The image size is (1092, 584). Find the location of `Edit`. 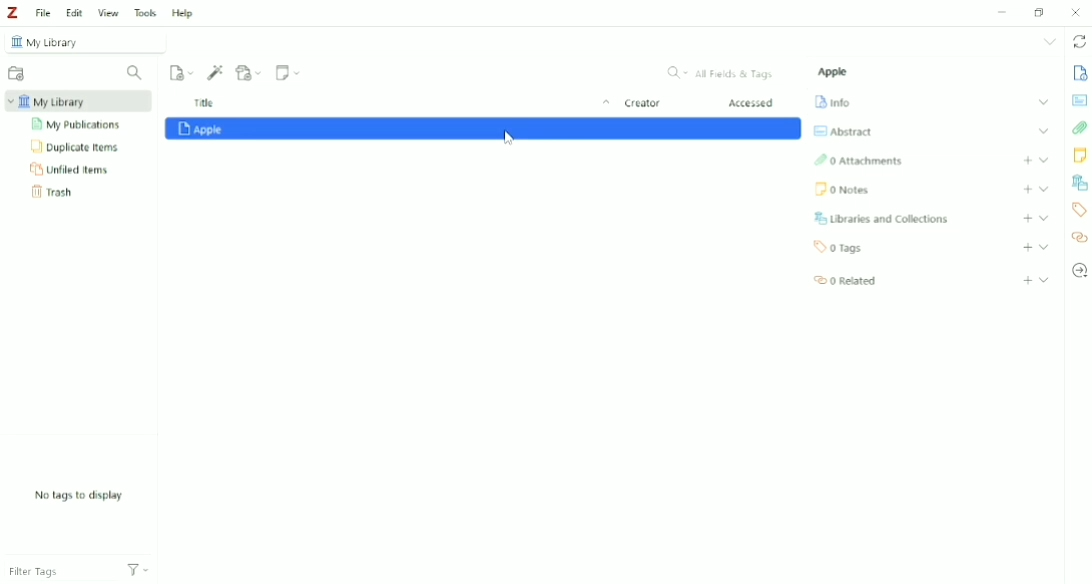

Edit is located at coordinates (74, 13).